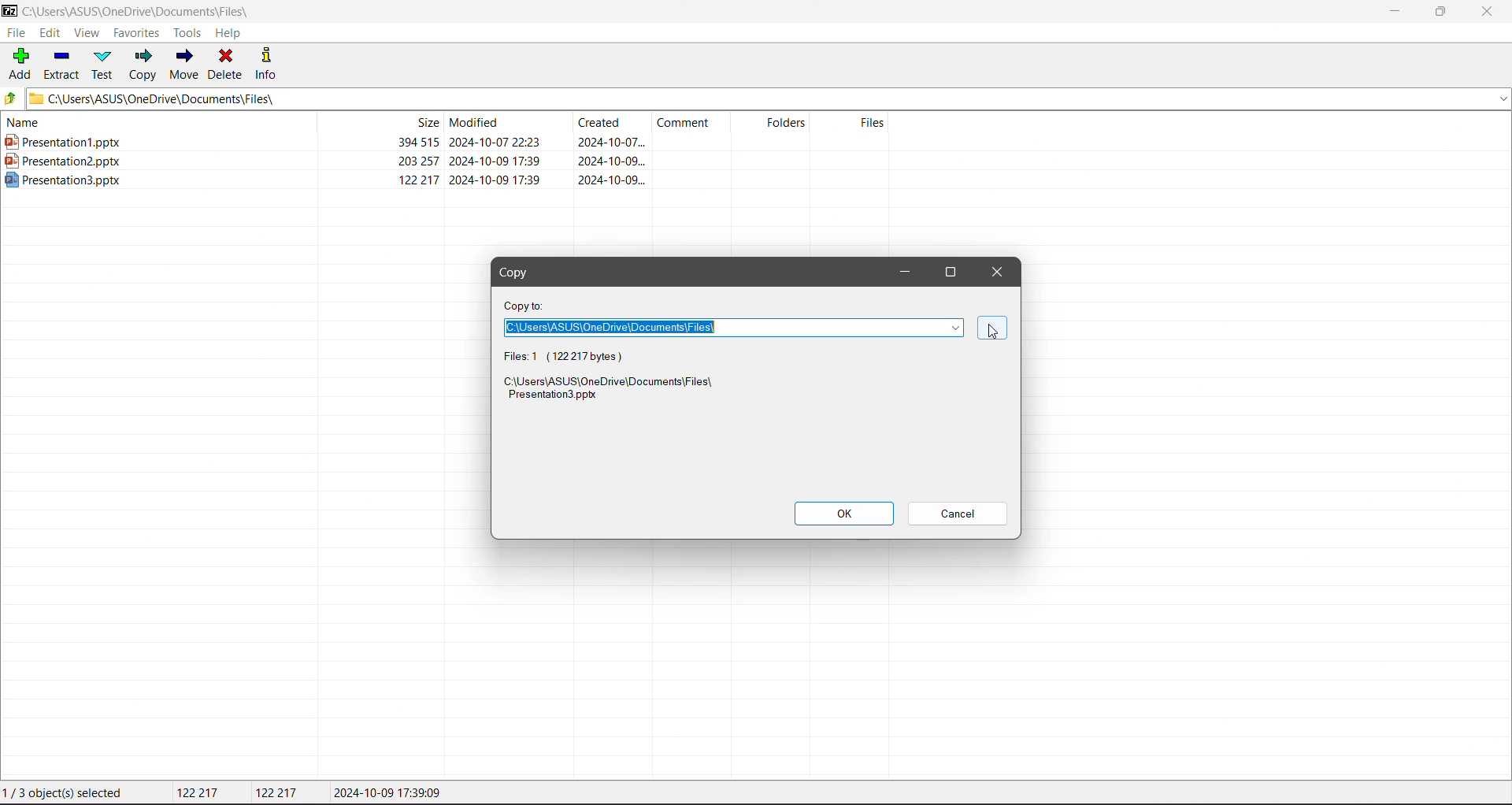  Describe the element at coordinates (997, 272) in the screenshot. I see `Close` at that location.